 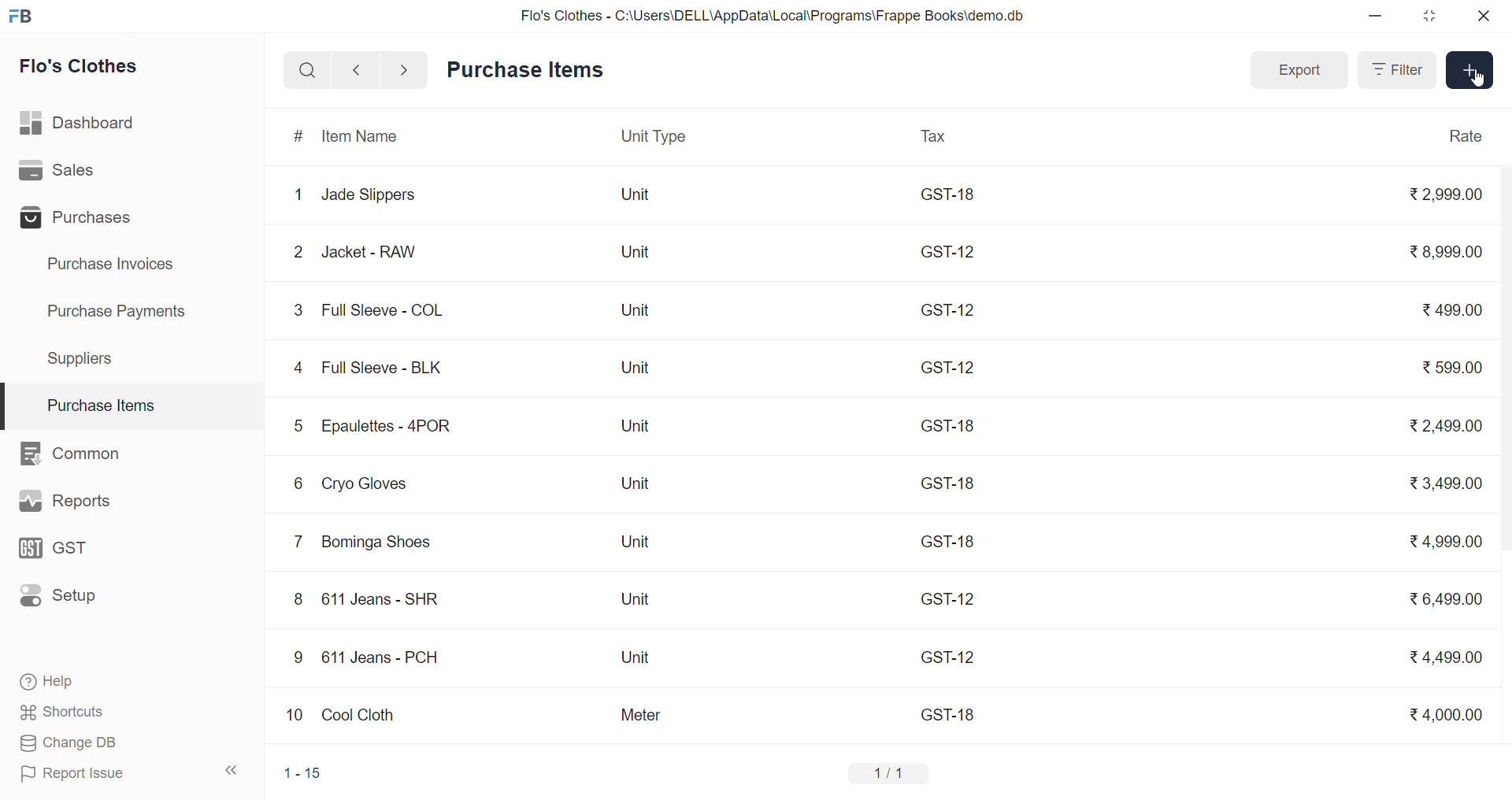 What do you see at coordinates (298, 542) in the screenshot?
I see `7` at bounding box center [298, 542].